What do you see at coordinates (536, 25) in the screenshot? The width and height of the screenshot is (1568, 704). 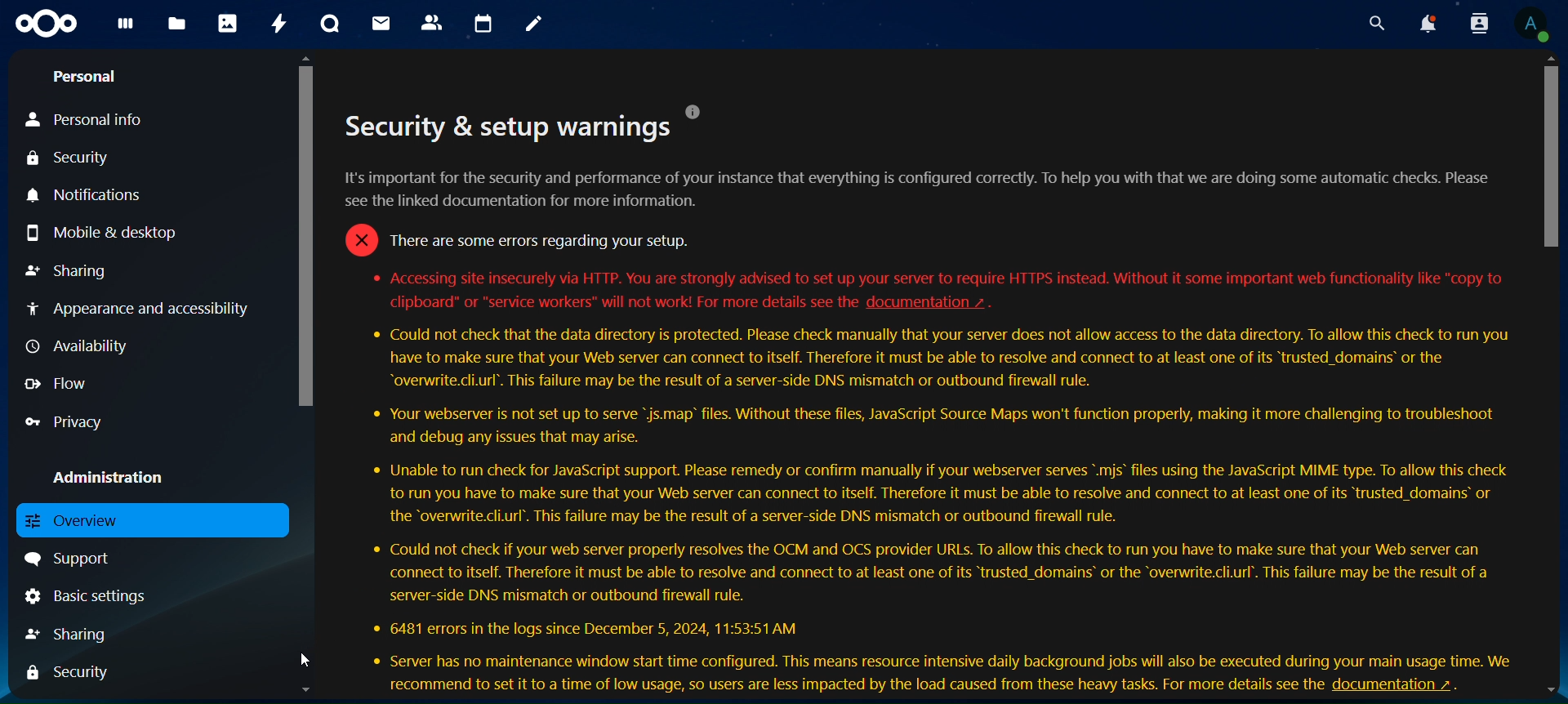 I see `notes` at bounding box center [536, 25].